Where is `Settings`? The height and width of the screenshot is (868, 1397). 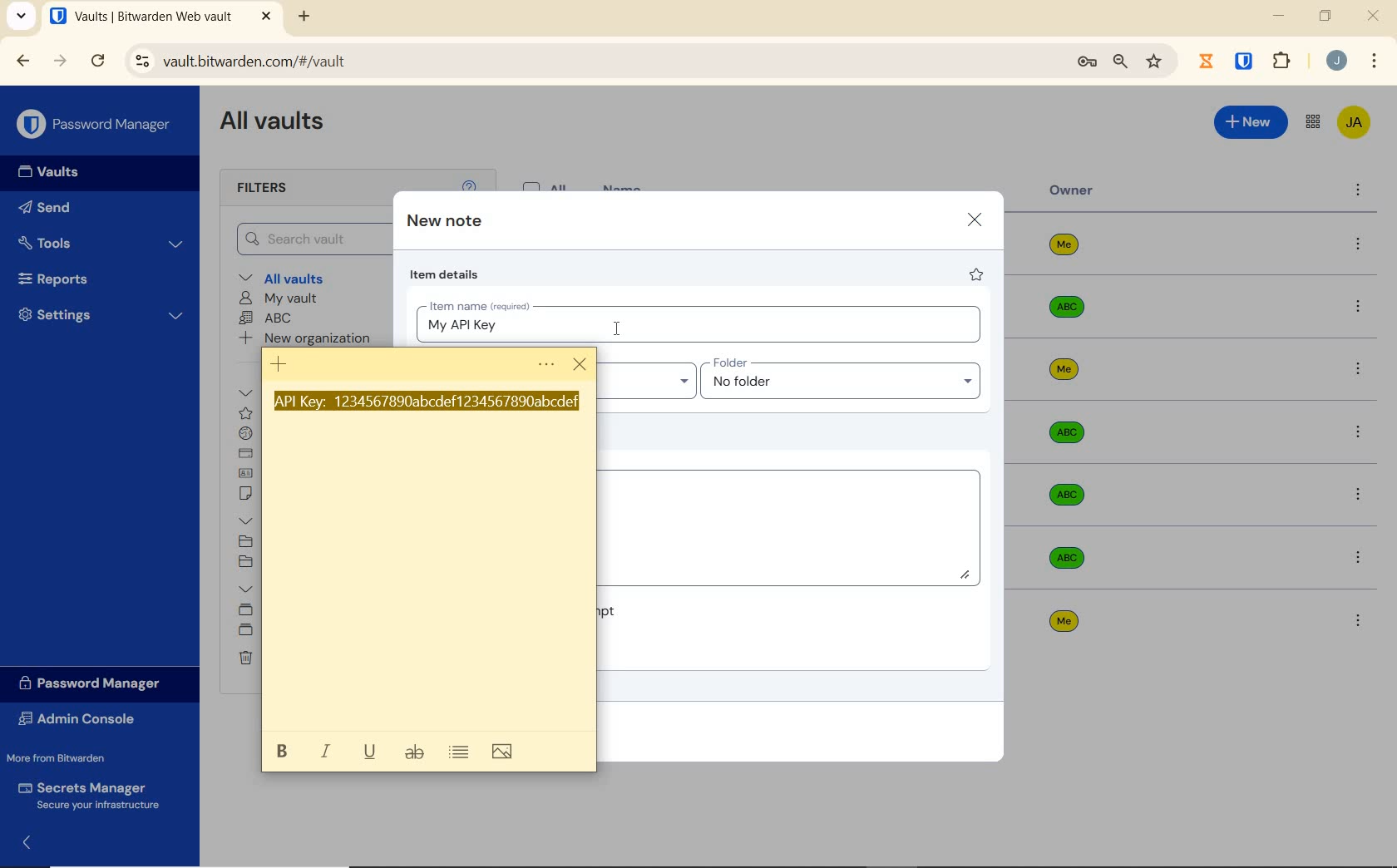
Settings is located at coordinates (102, 318).